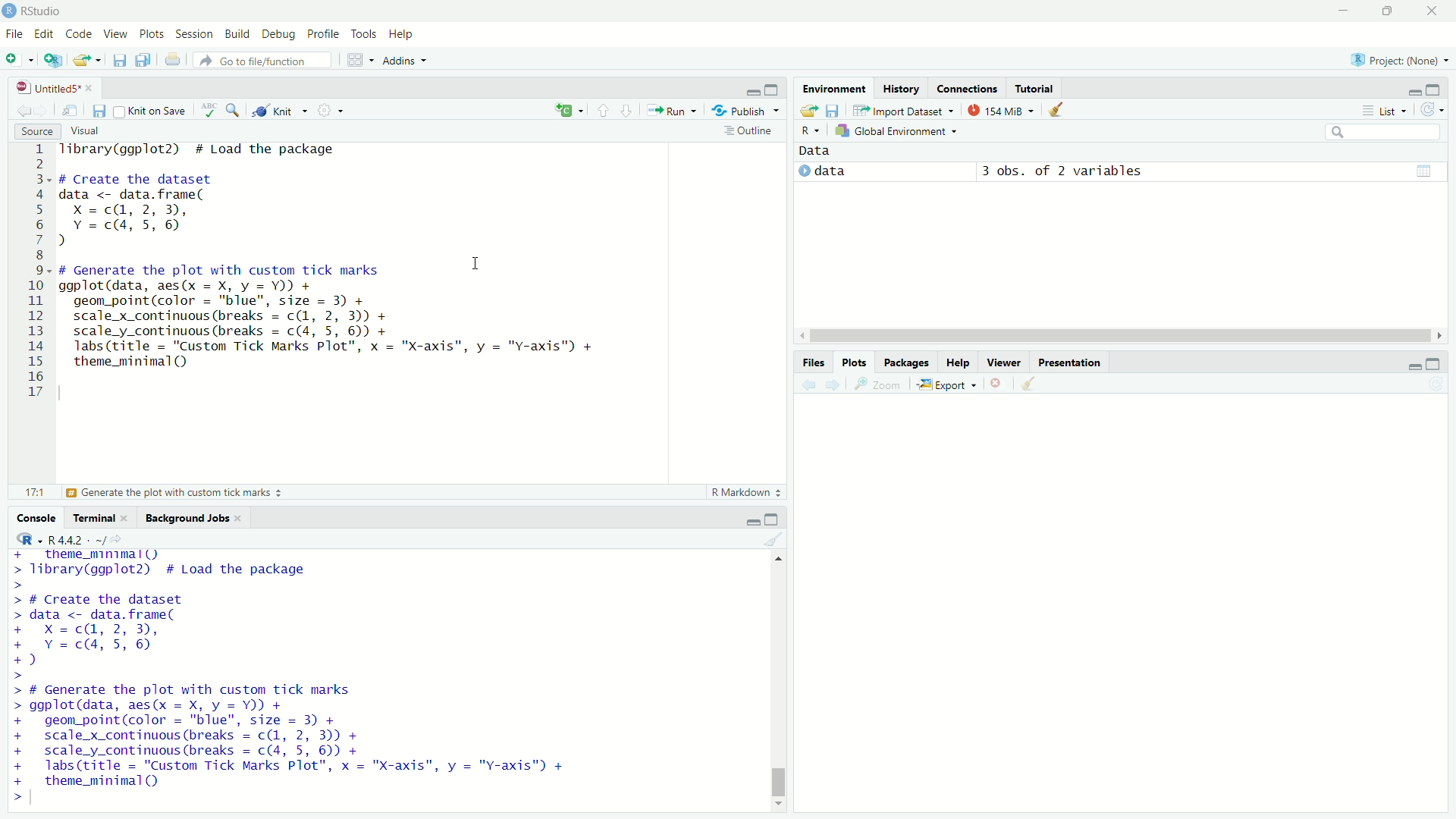 This screenshot has height=819, width=1456. I want to click on minimize, so click(1409, 88).